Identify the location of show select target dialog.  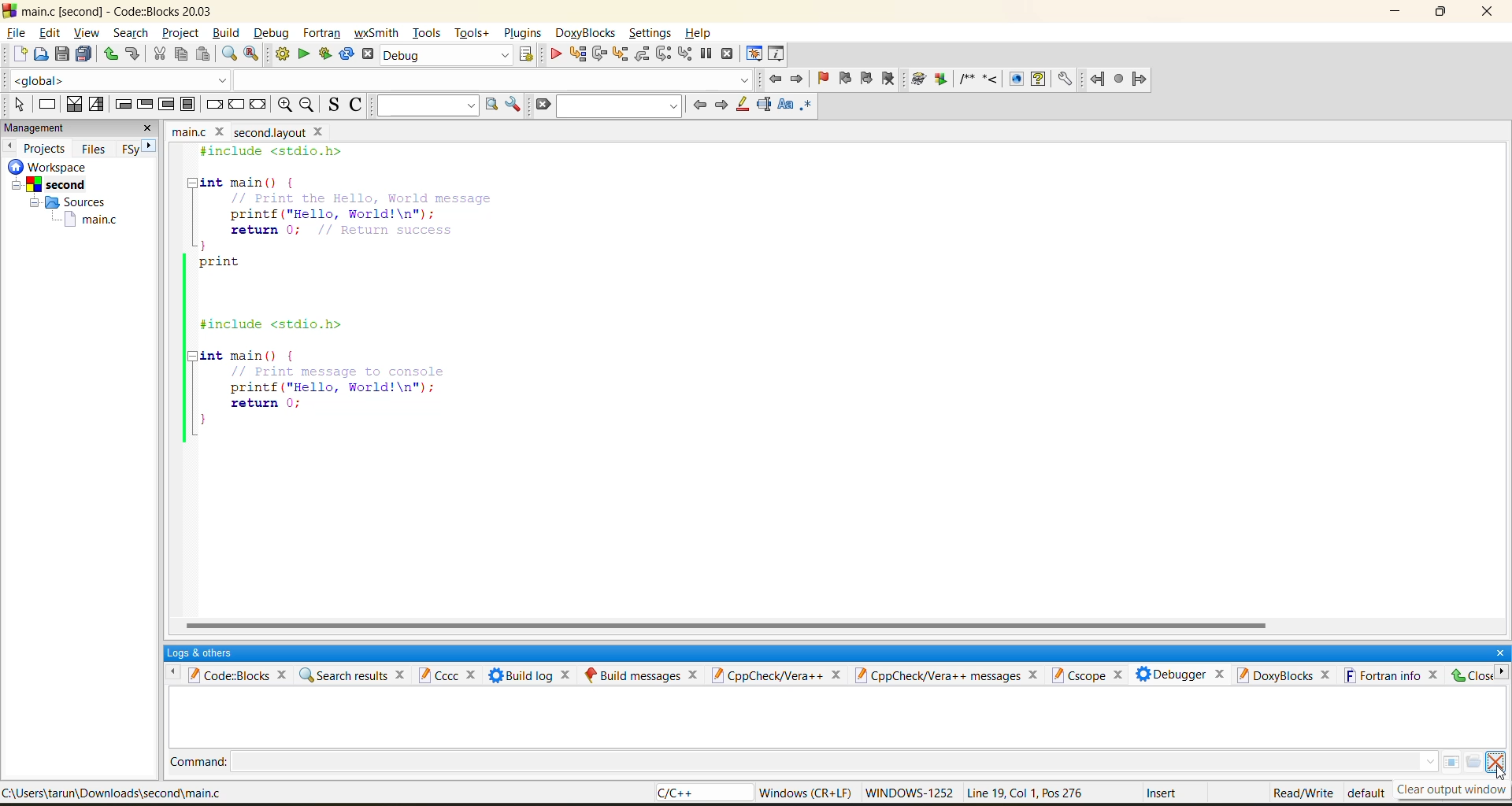
(529, 57).